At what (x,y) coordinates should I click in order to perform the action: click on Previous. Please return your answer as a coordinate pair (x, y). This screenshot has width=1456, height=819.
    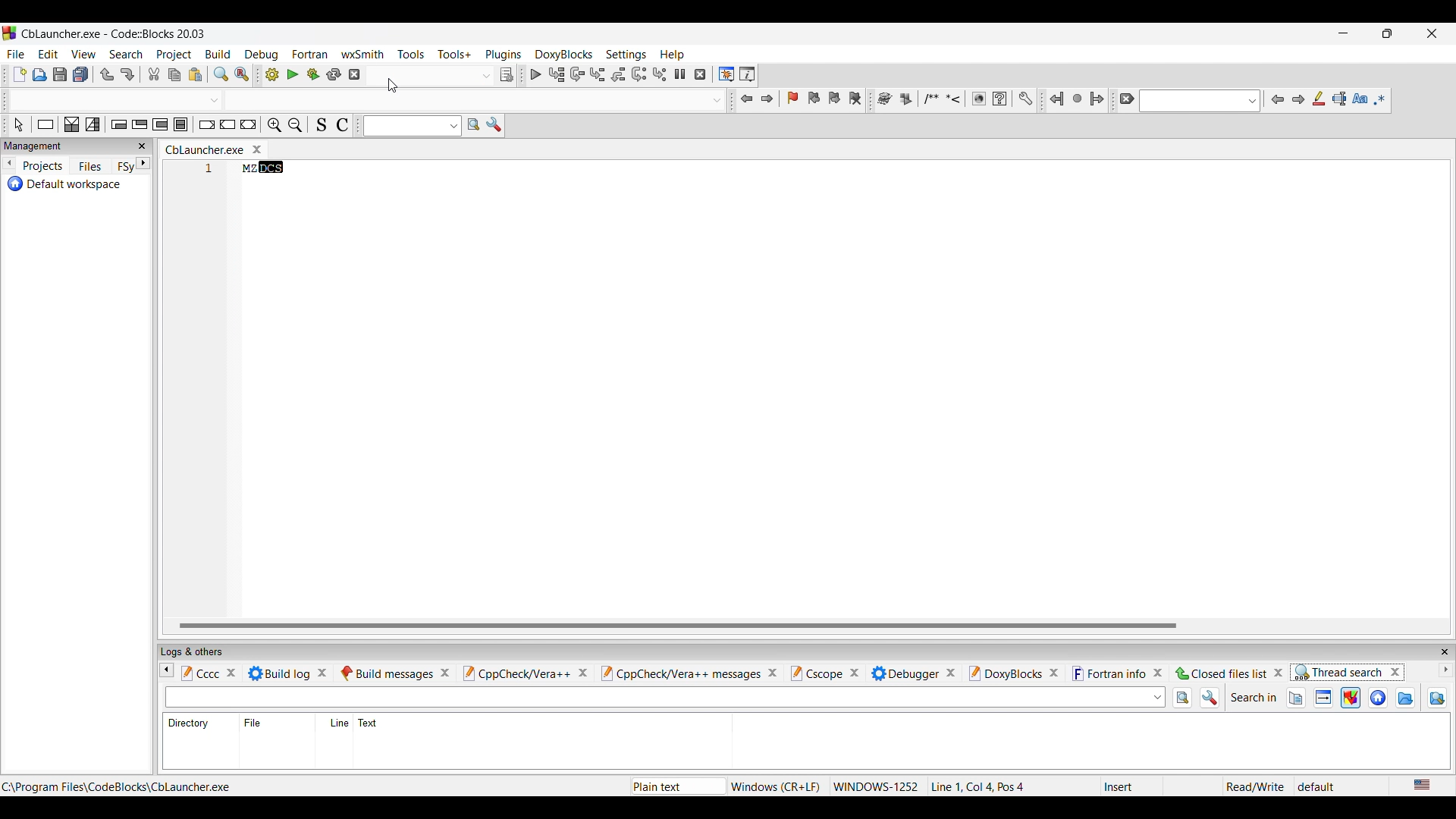
    Looking at the image, I should click on (1278, 99).